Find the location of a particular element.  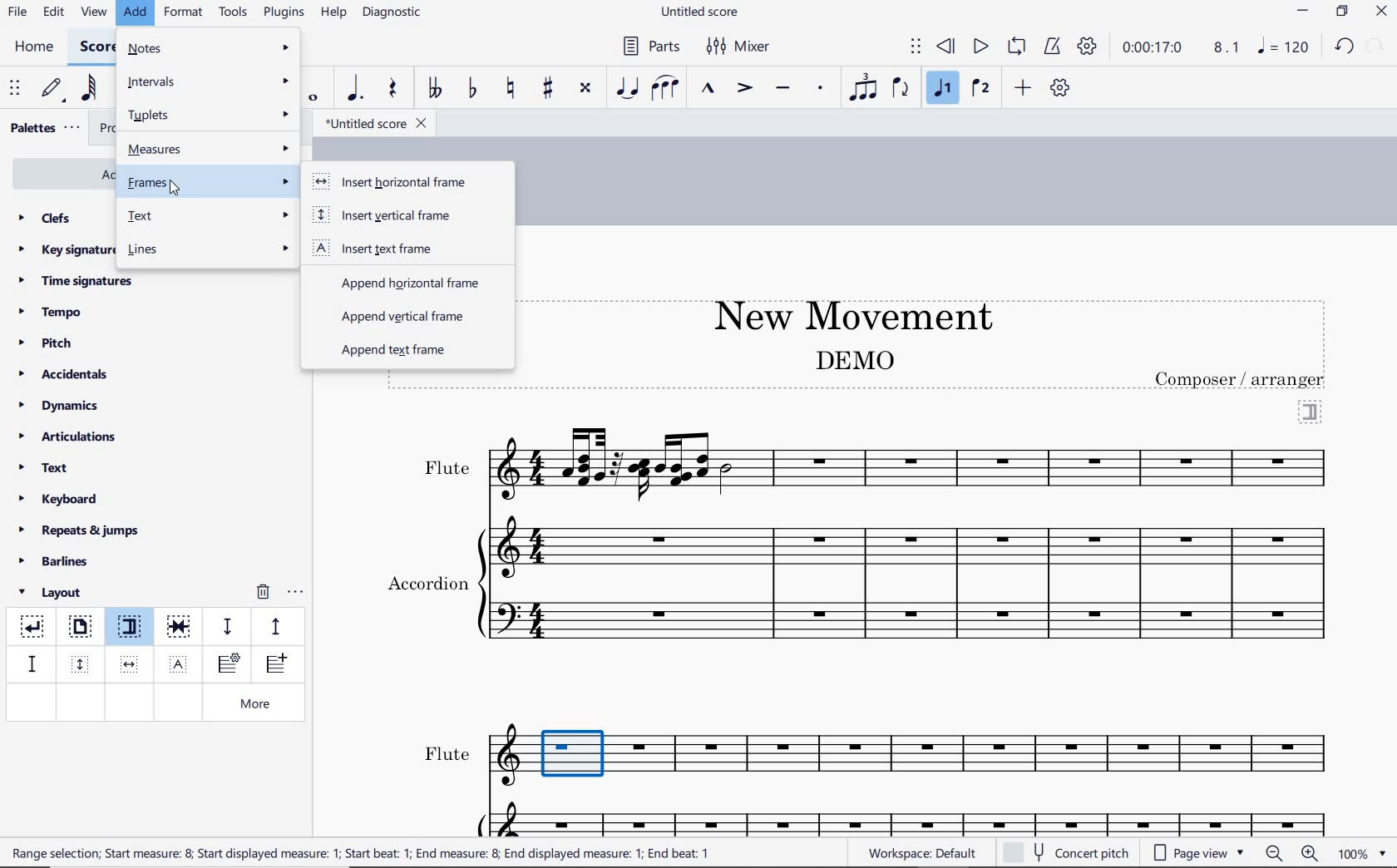

add  is located at coordinates (137, 12).